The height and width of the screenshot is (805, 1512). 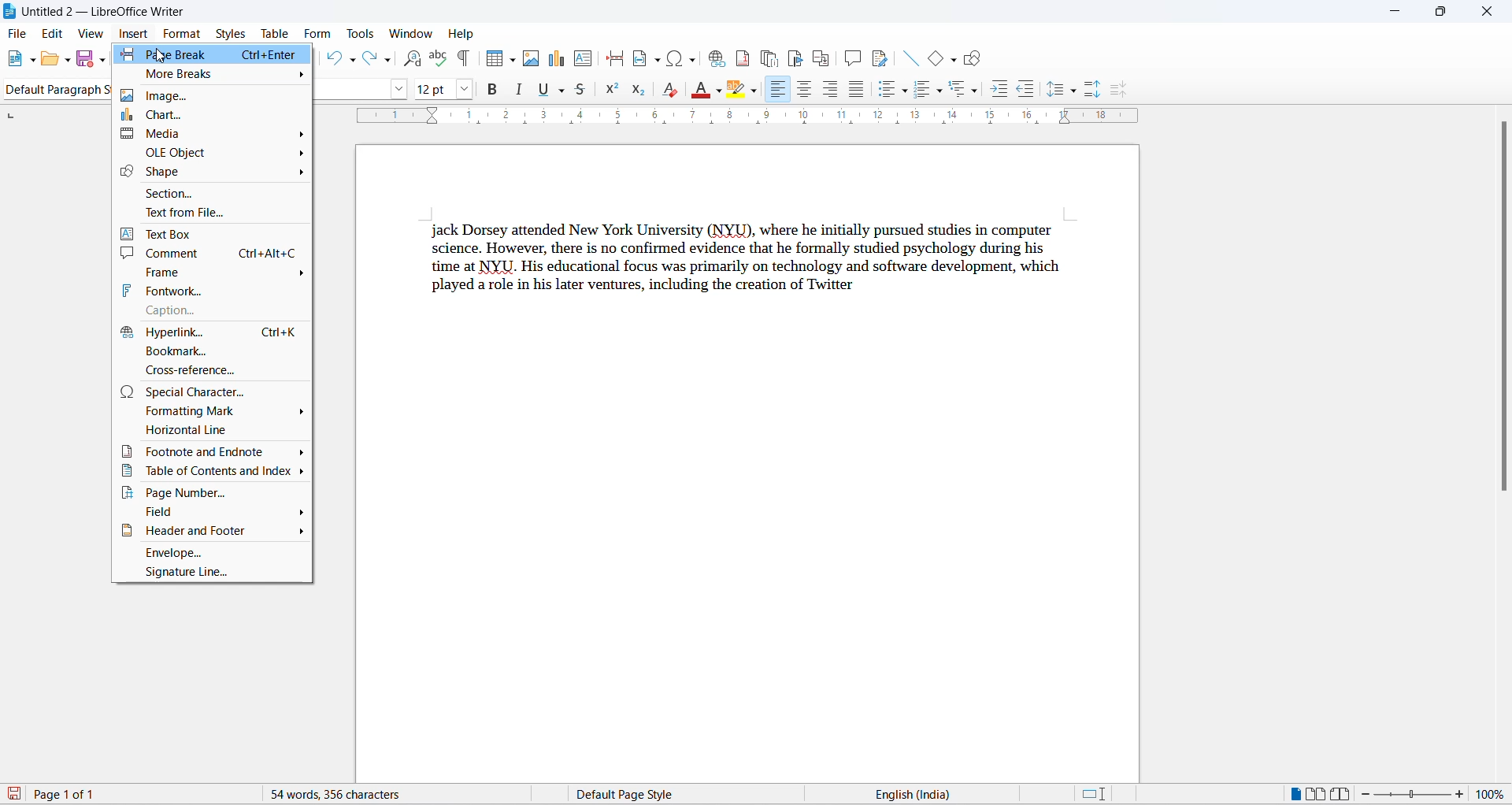 I want to click on OLE object, so click(x=216, y=152).